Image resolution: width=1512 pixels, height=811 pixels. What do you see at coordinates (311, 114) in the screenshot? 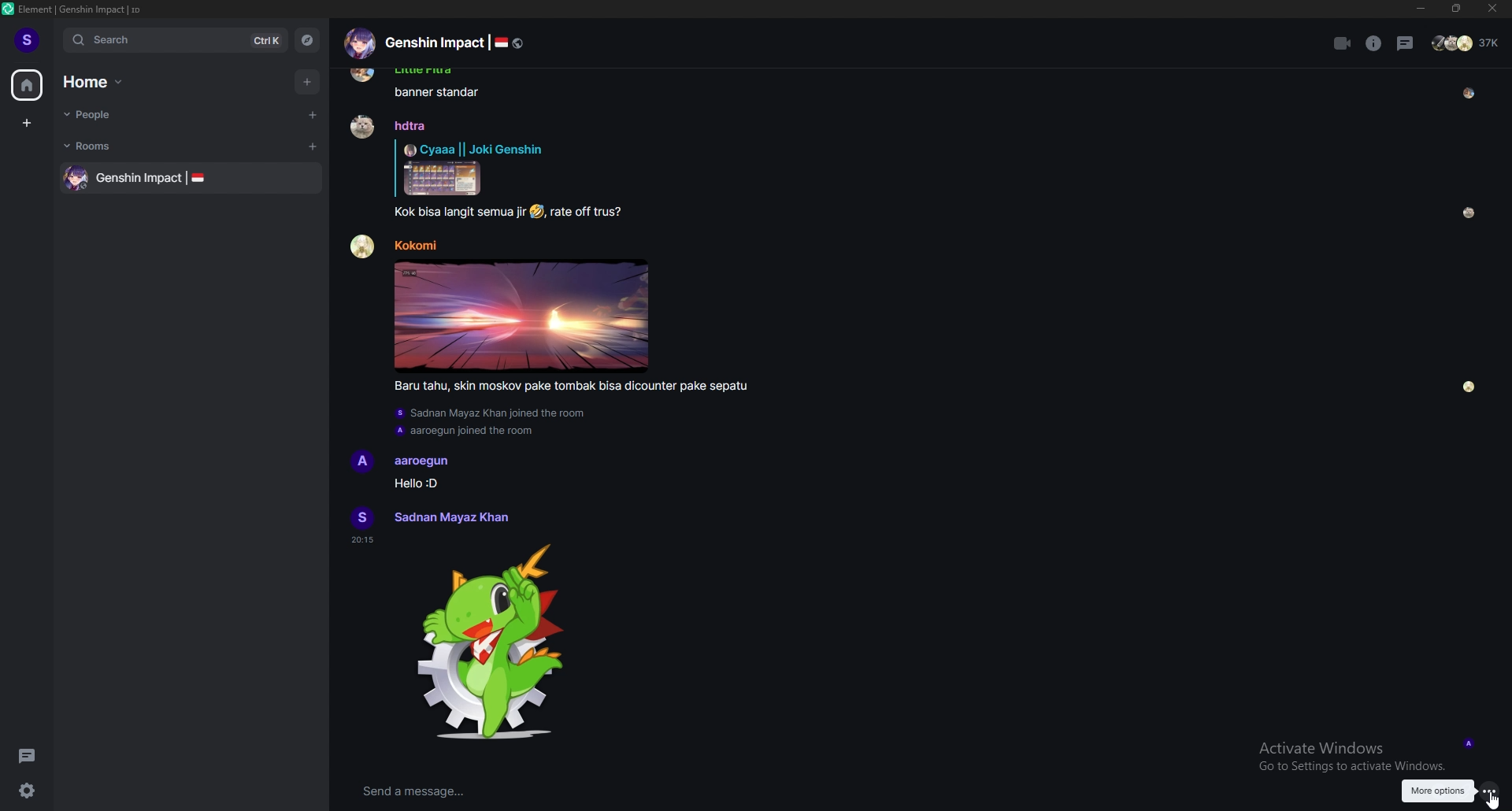
I see `start chat` at bounding box center [311, 114].